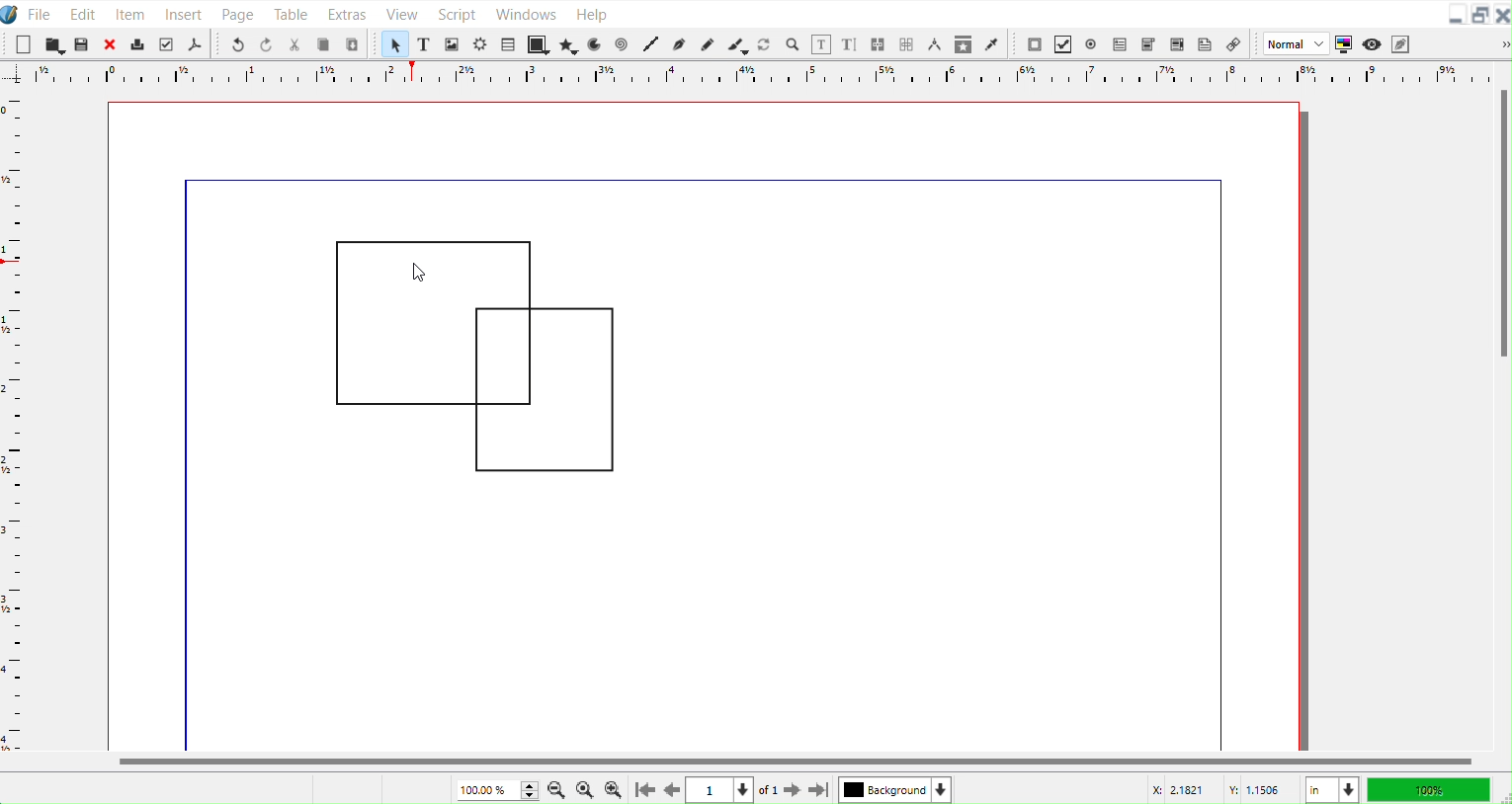  I want to click on Spiral, so click(623, 43).